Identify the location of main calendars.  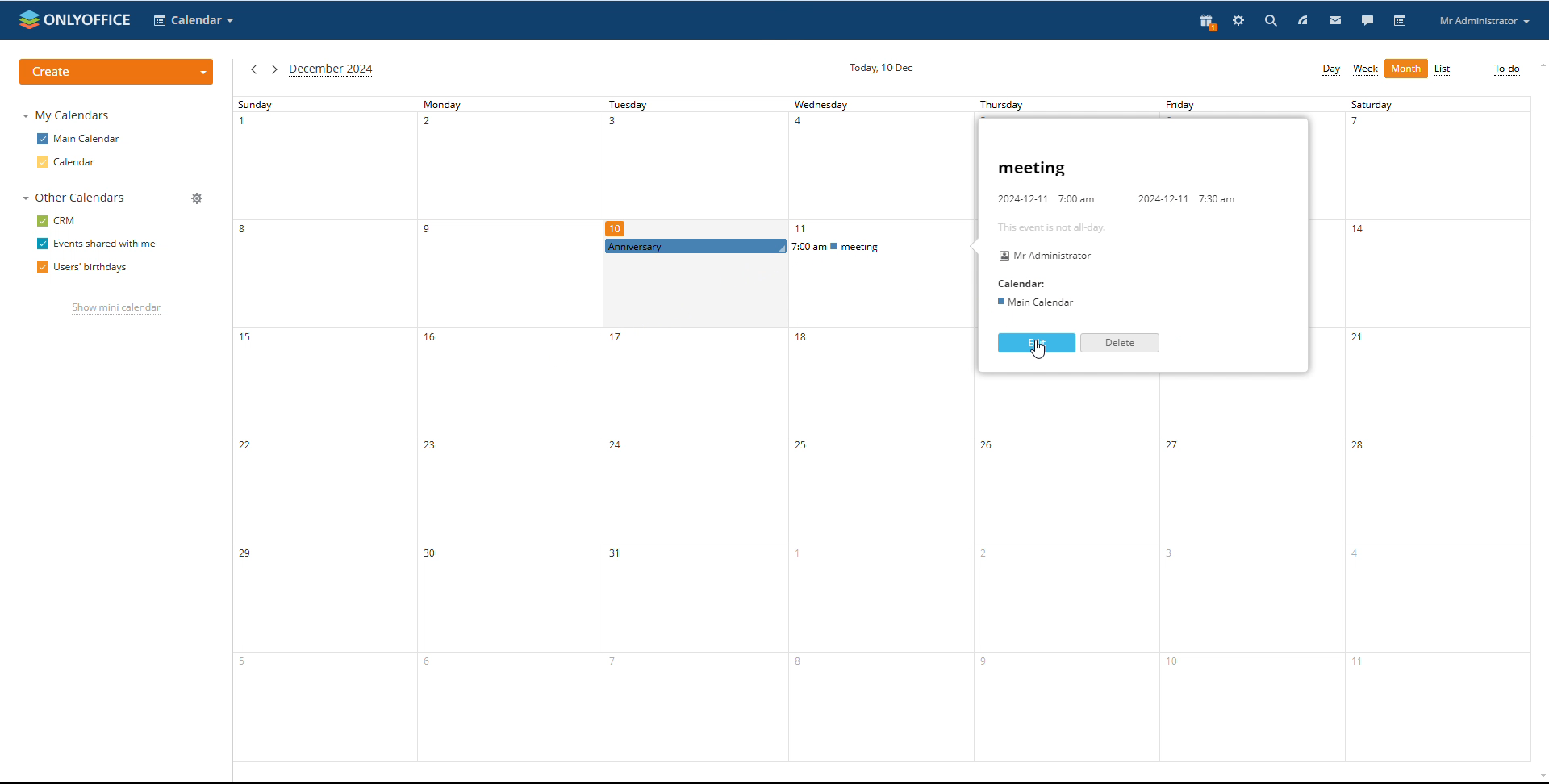
(78, 138).